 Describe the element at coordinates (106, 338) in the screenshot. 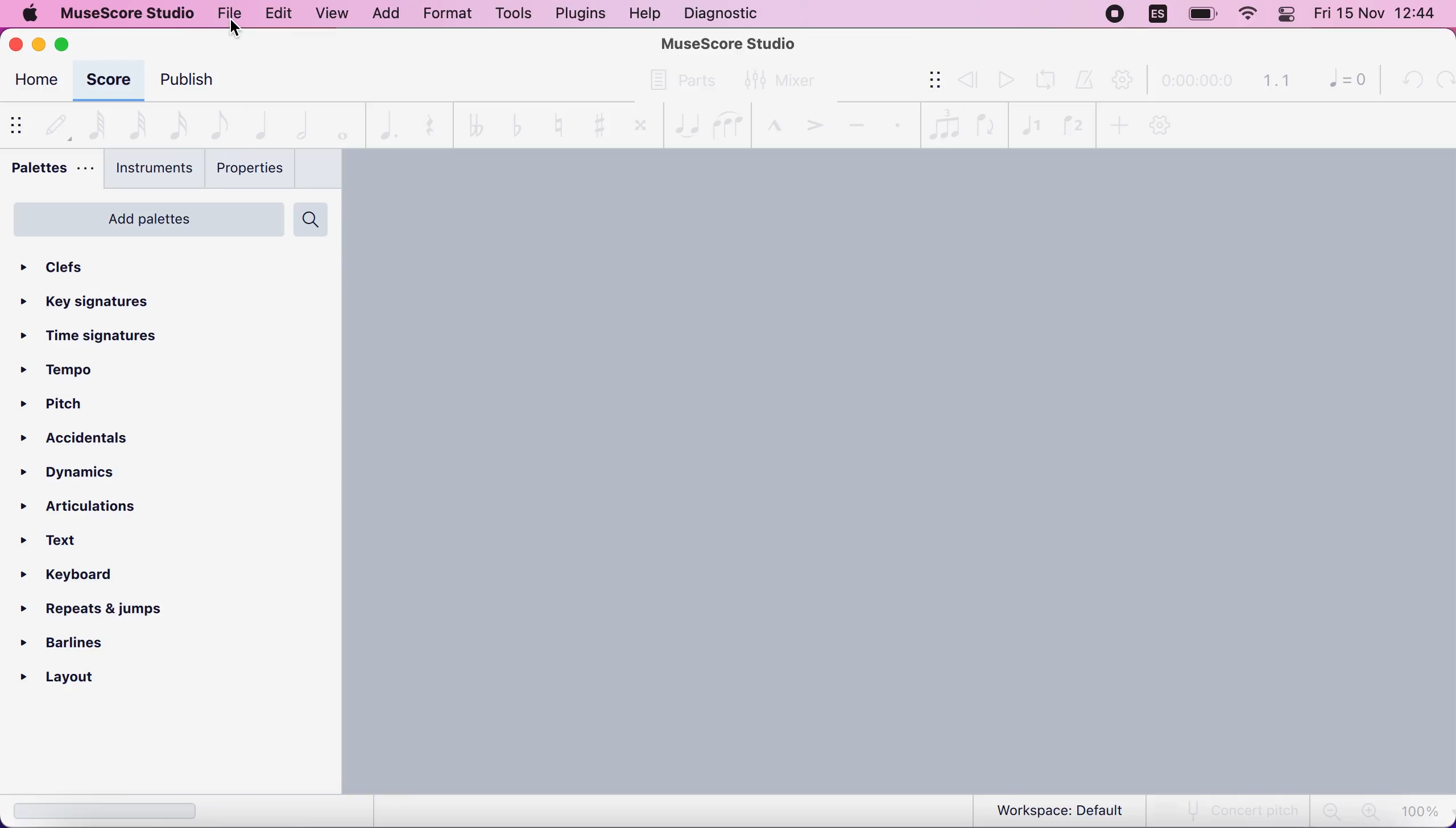

I see `ime signatures` at that location.